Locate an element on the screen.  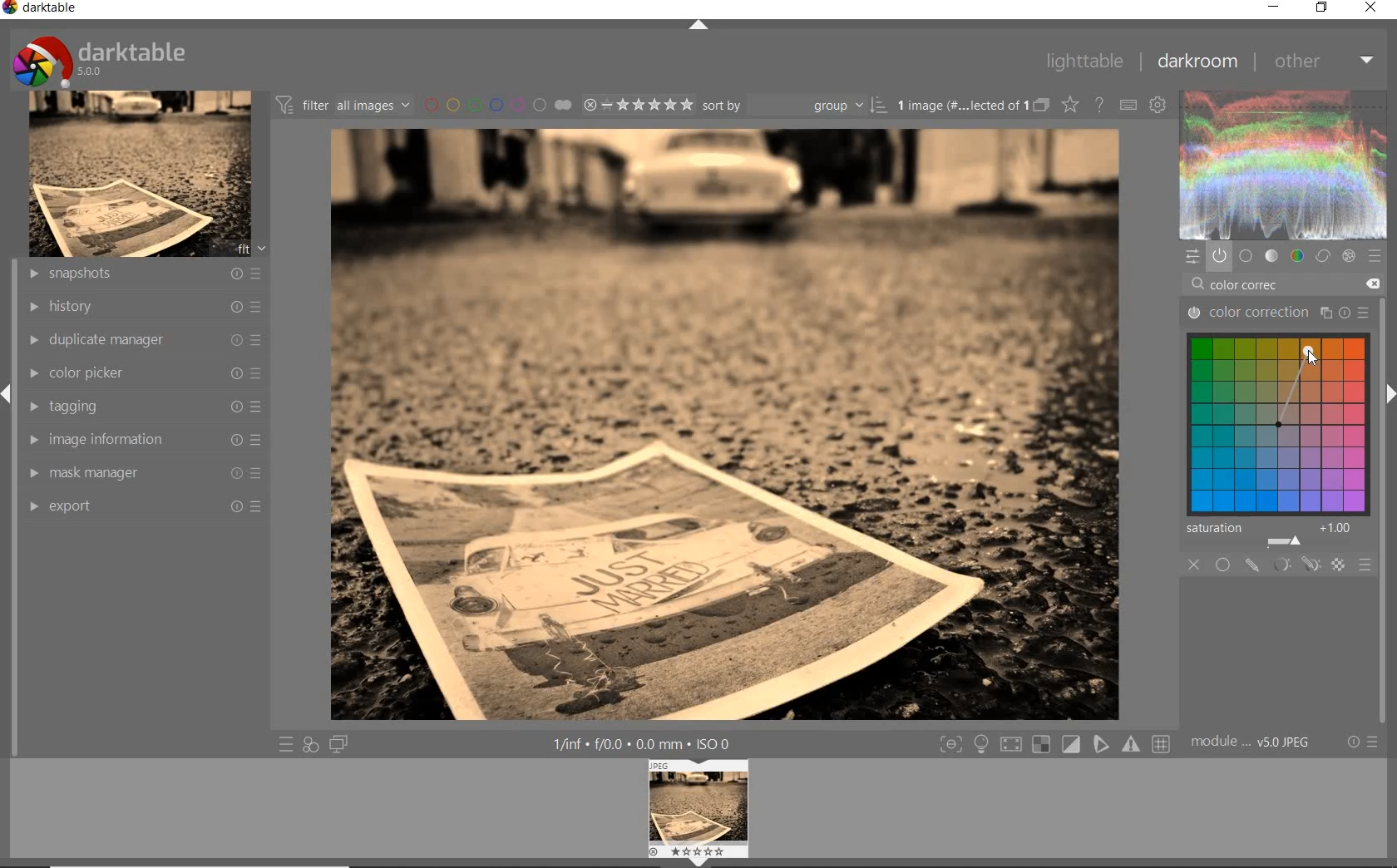
wave form is located at coordinates (1284, 167).